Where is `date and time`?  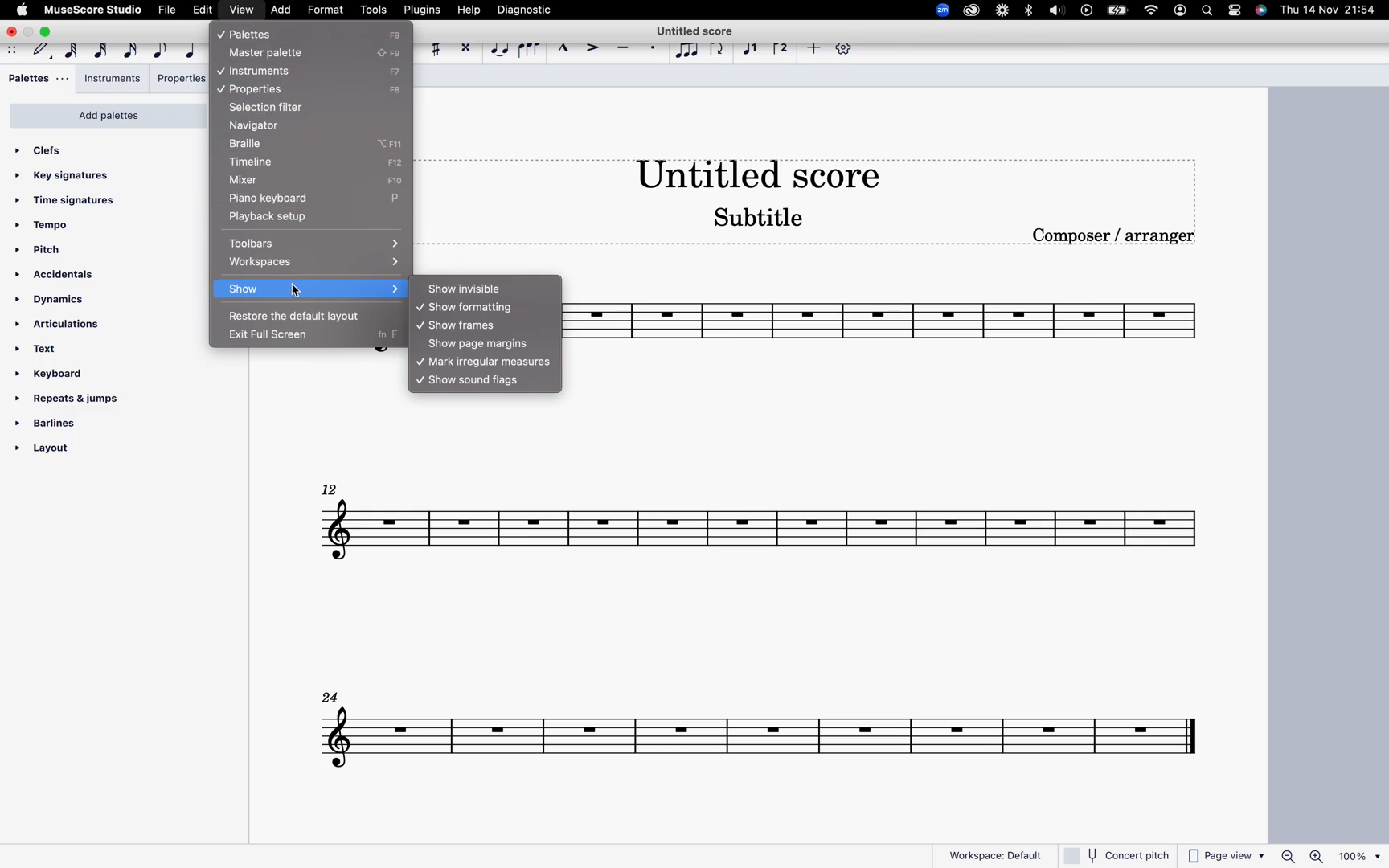 date and time is located at coordinates (1329, 11).